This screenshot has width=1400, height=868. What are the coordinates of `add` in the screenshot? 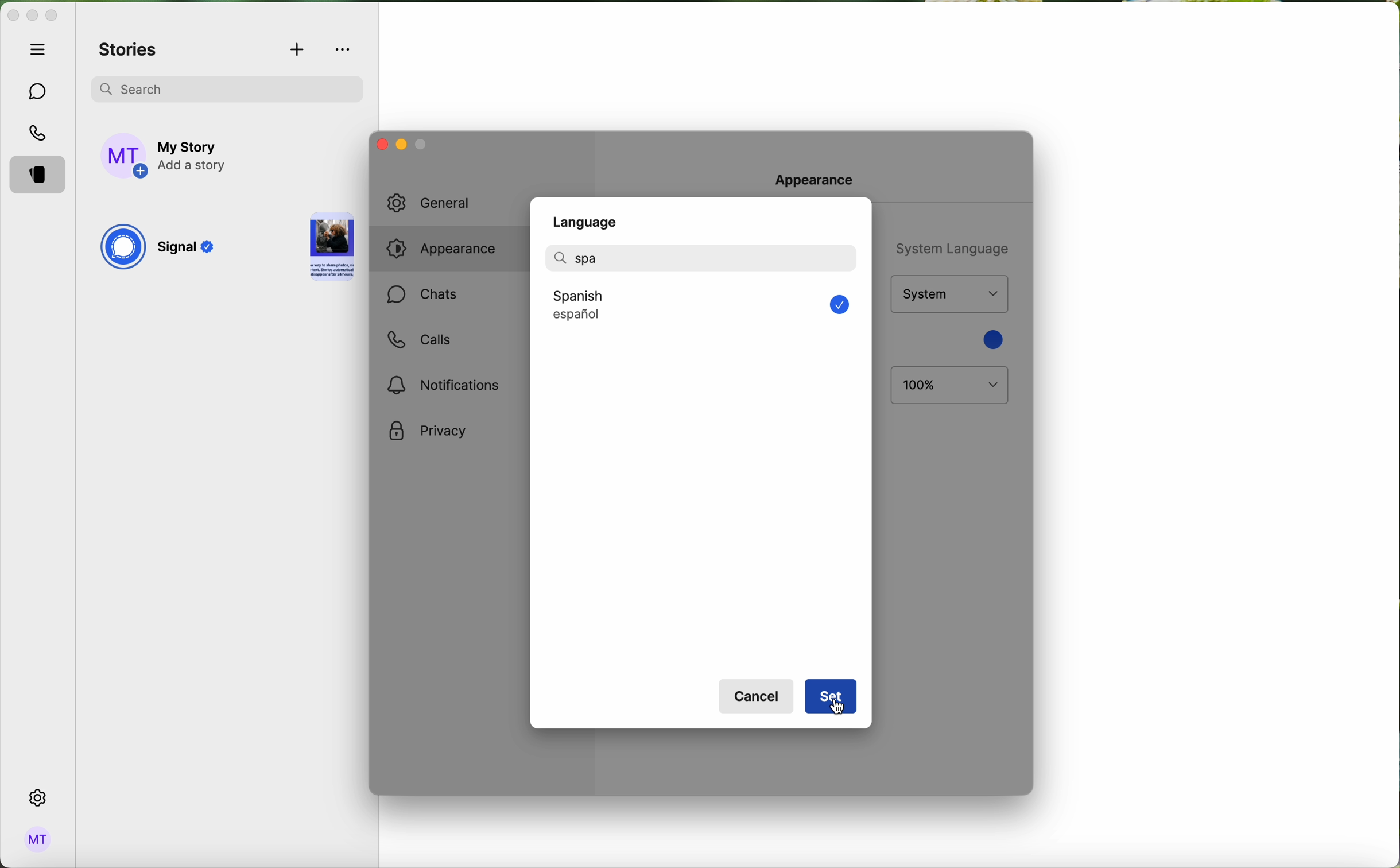 It's located at (298, 51).